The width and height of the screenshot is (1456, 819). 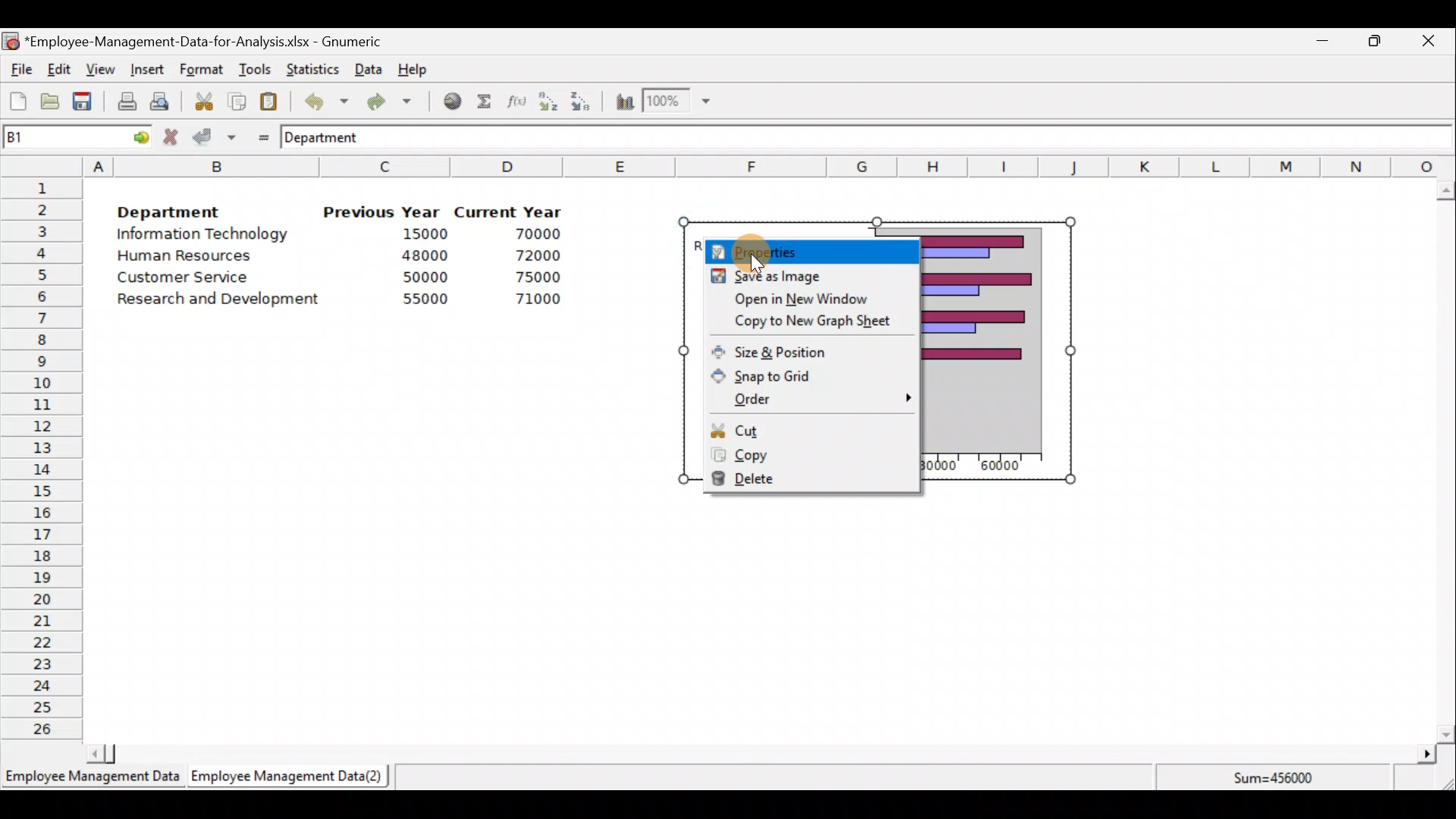 I want to click on Columns, so click(x=769, y=165).